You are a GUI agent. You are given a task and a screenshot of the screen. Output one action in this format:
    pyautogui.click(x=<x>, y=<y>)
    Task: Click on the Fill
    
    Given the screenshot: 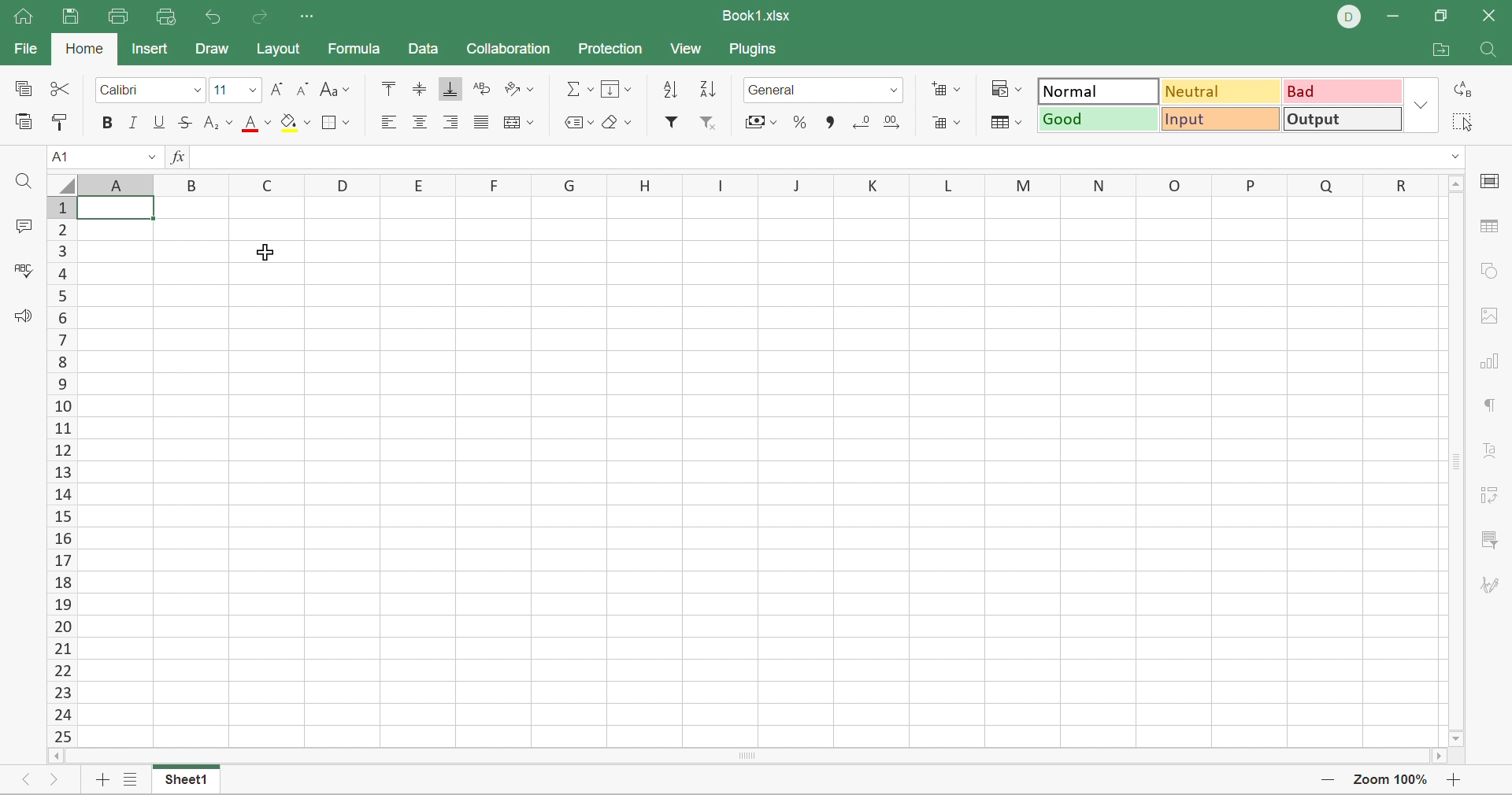 What is the action you would take?
    pyautogui.click(x=618, y=87)
    